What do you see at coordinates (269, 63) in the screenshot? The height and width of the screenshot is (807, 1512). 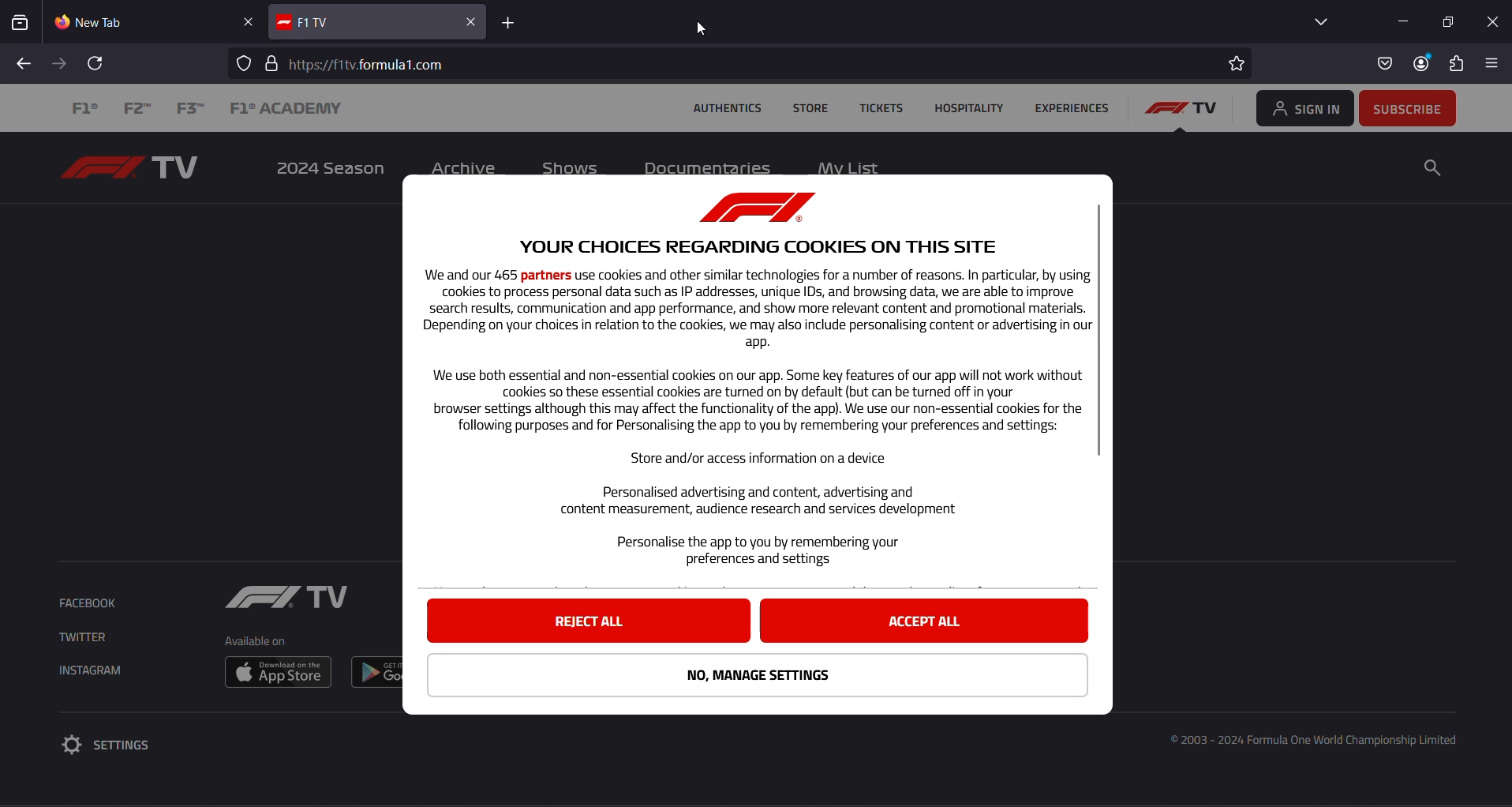 I see `verification details` at bounding box center [269, 63].